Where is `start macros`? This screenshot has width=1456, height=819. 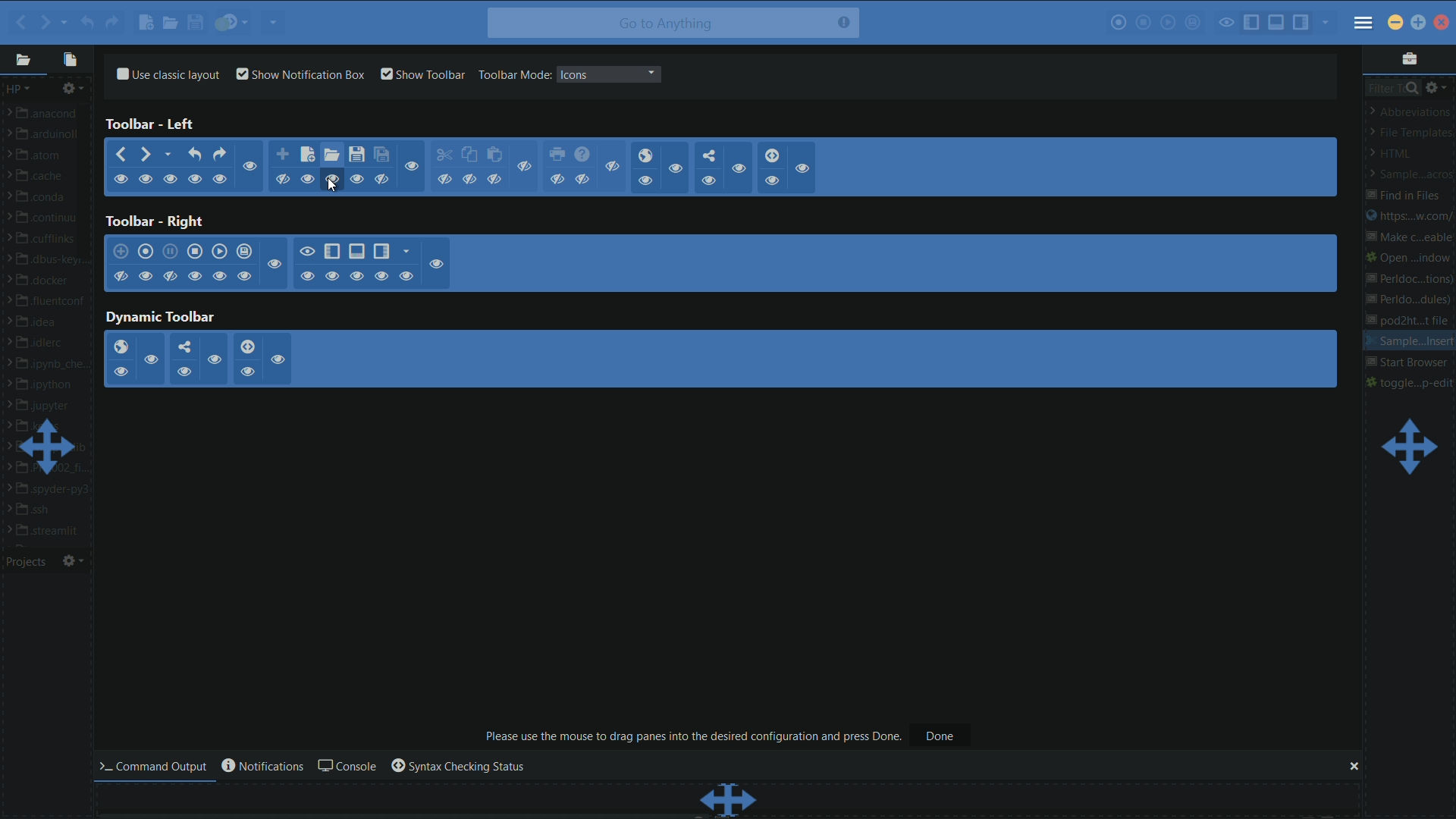
start macros is located at coordinates (1118, 24).